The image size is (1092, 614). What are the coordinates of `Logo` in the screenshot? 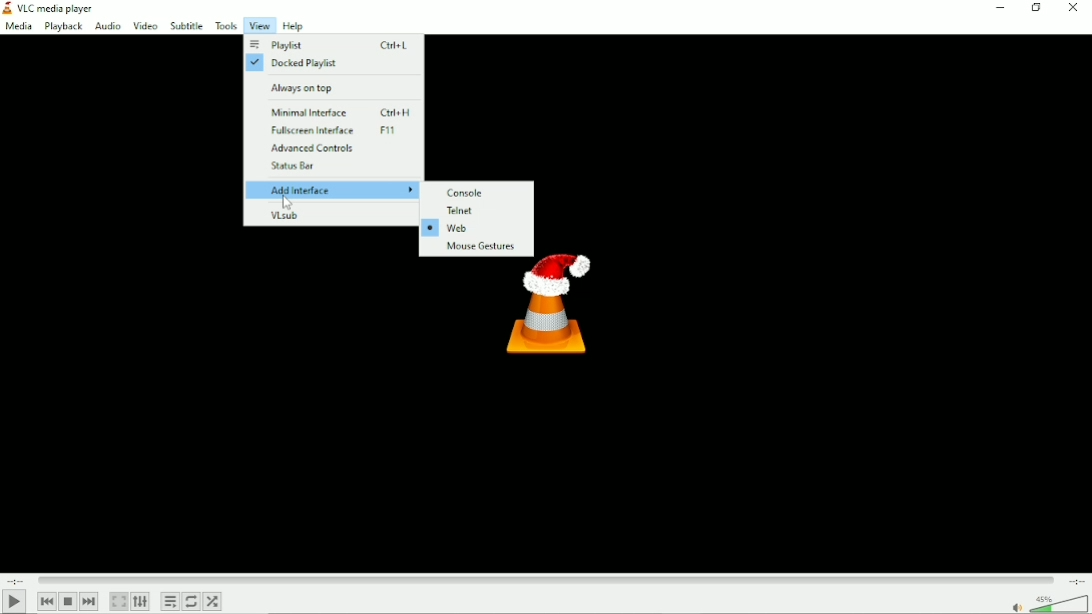 It's located at (540, 323).